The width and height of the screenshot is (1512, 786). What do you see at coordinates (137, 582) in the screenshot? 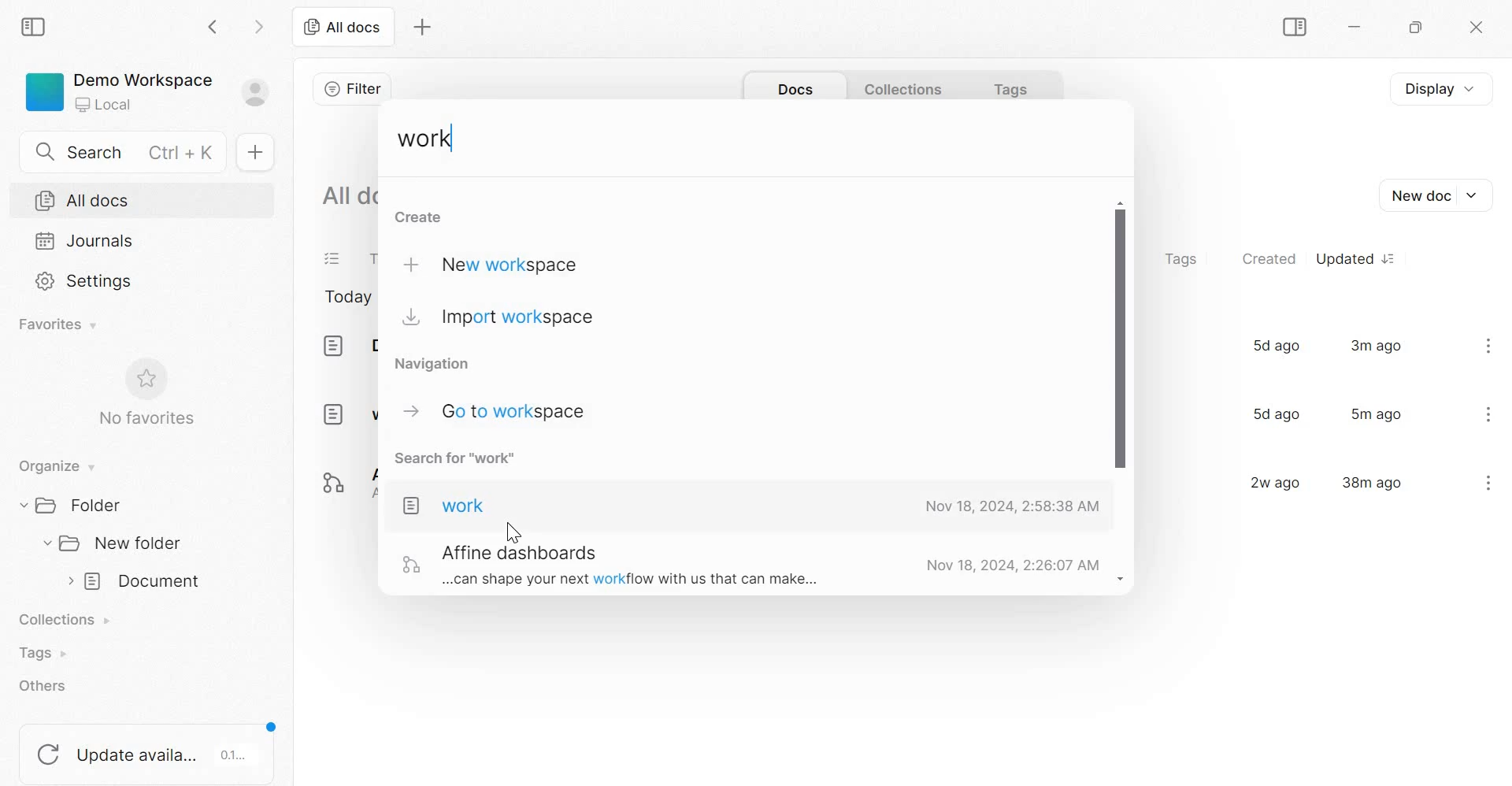
I see `Document` at bounding box center [137, 582].